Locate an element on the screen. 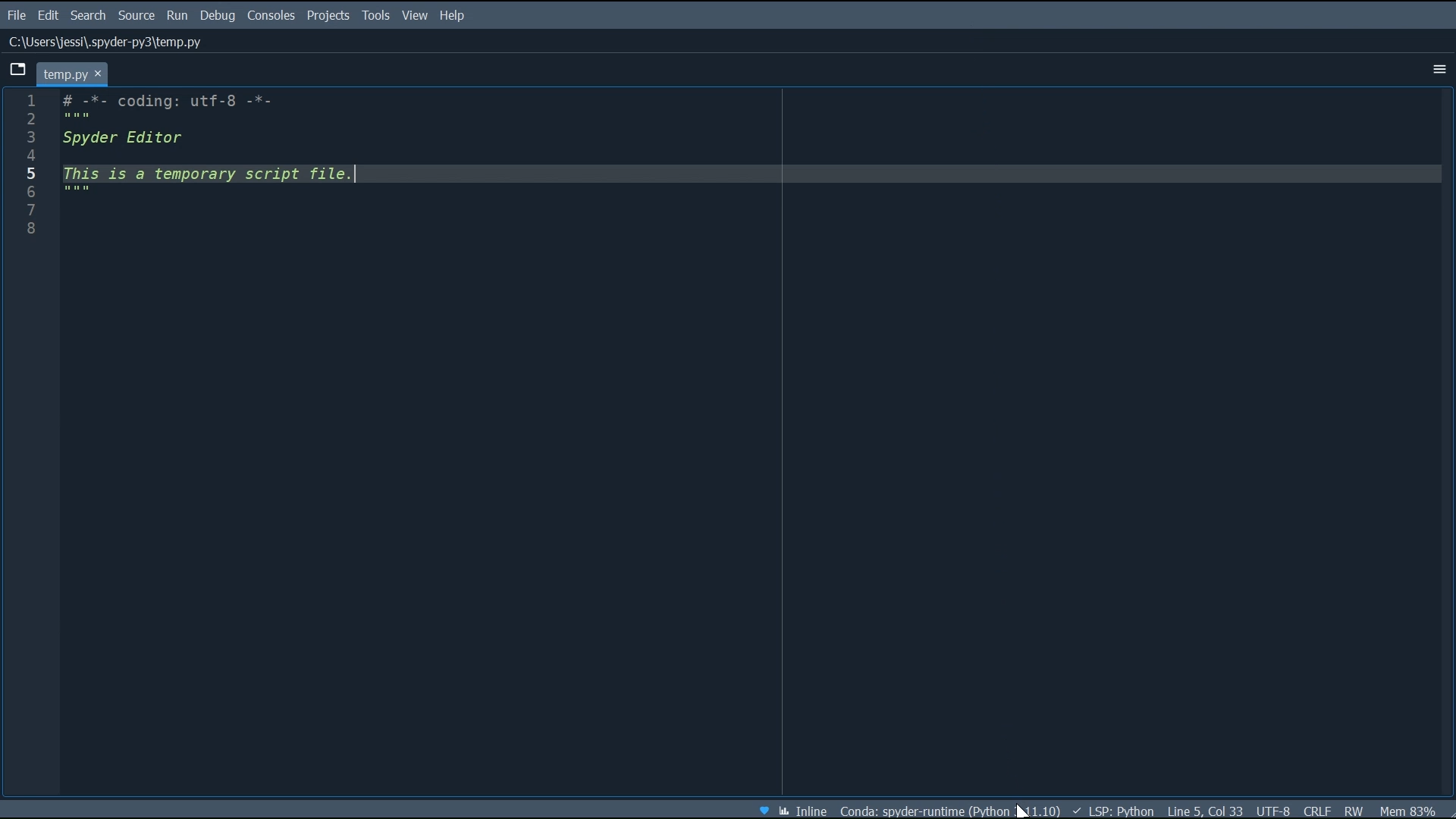 This screenshot has height=819, width=1456. Cursor is located at coordinates (1021, 811).